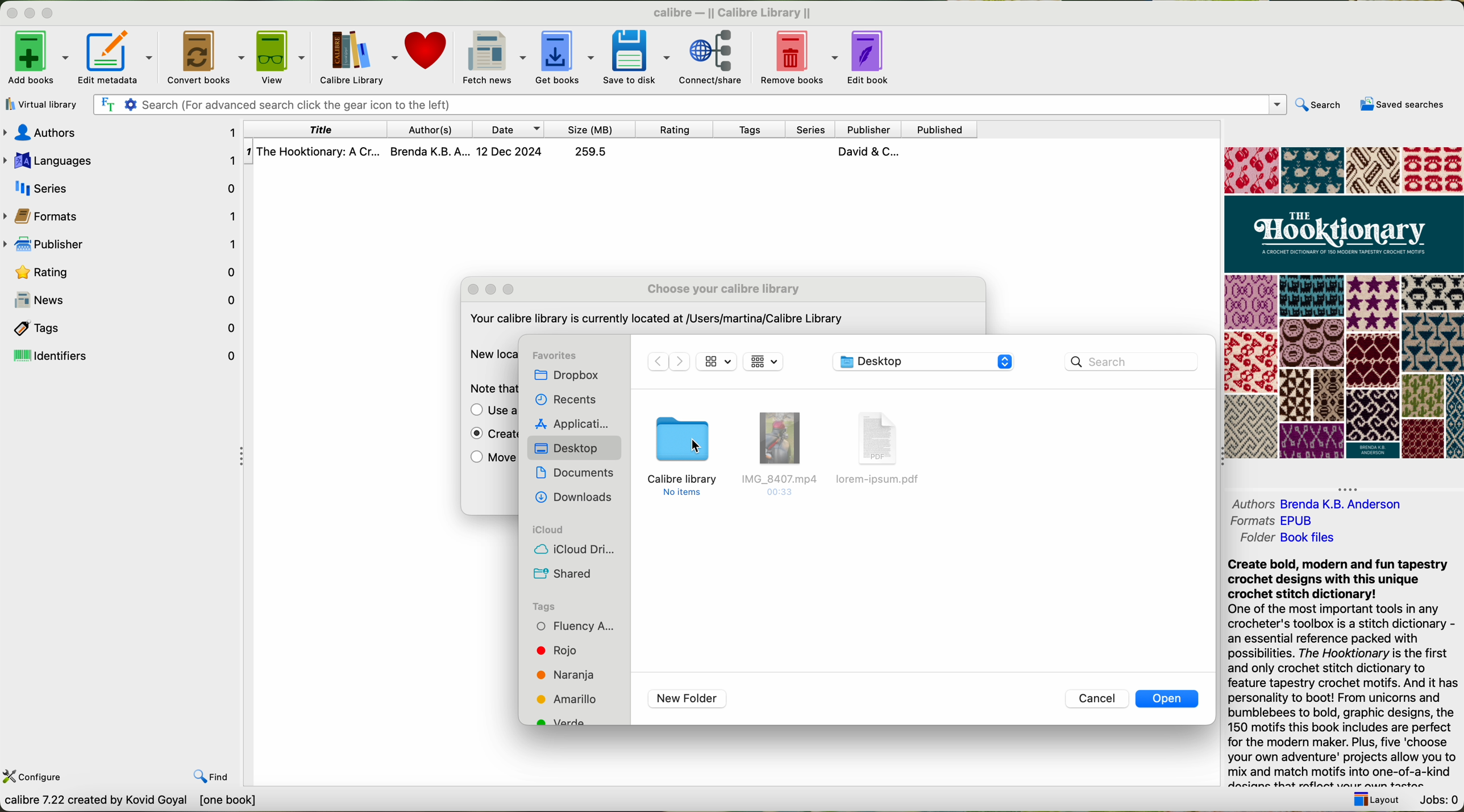 The height and width of the screenshot is (812, 1464). Describe the element at coordinates (687, 699) in the screenshot. I see `new folder` at that location.